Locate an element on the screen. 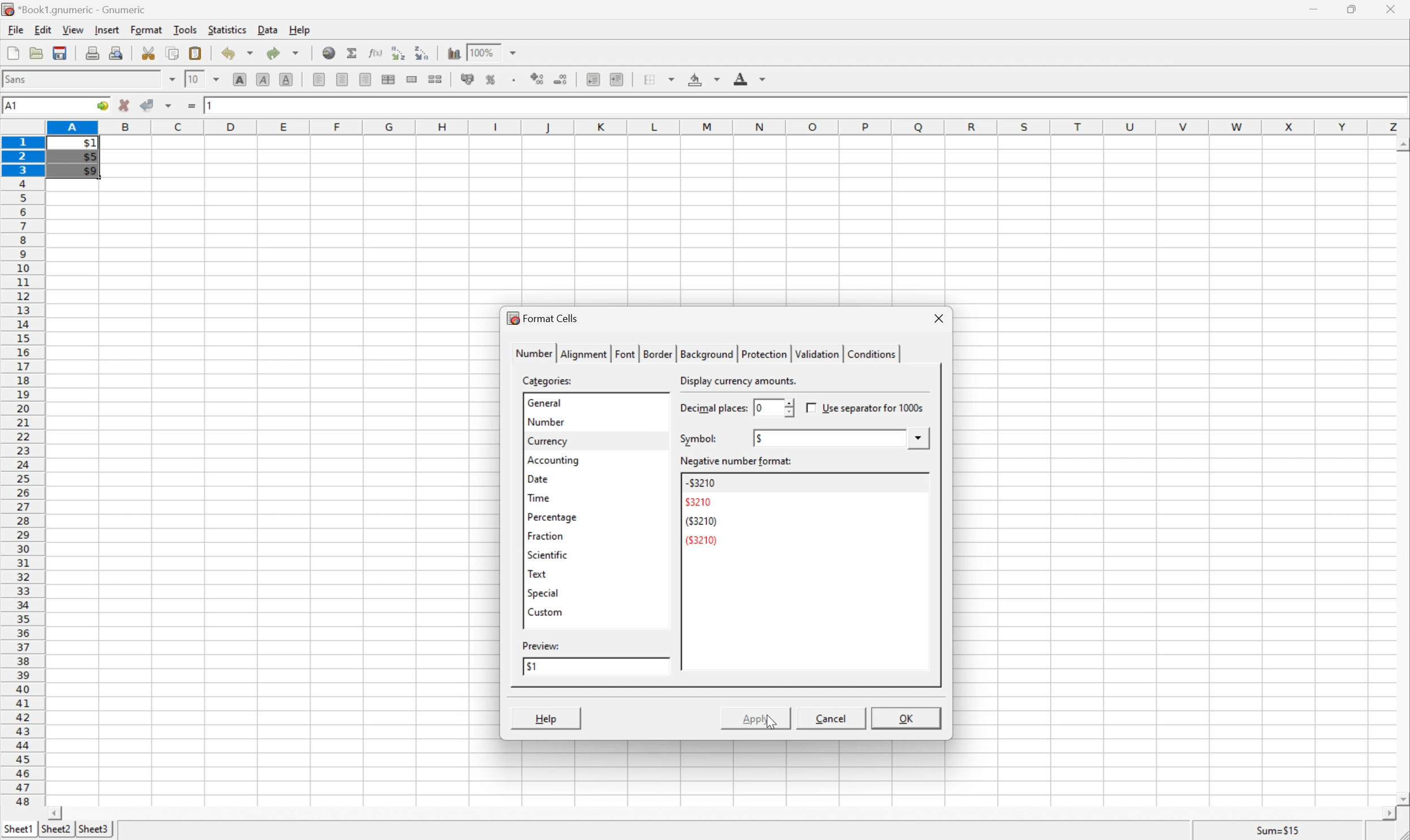 The width and height of the screenshot is (1410, 840). font is located at coordinates (625, 353).